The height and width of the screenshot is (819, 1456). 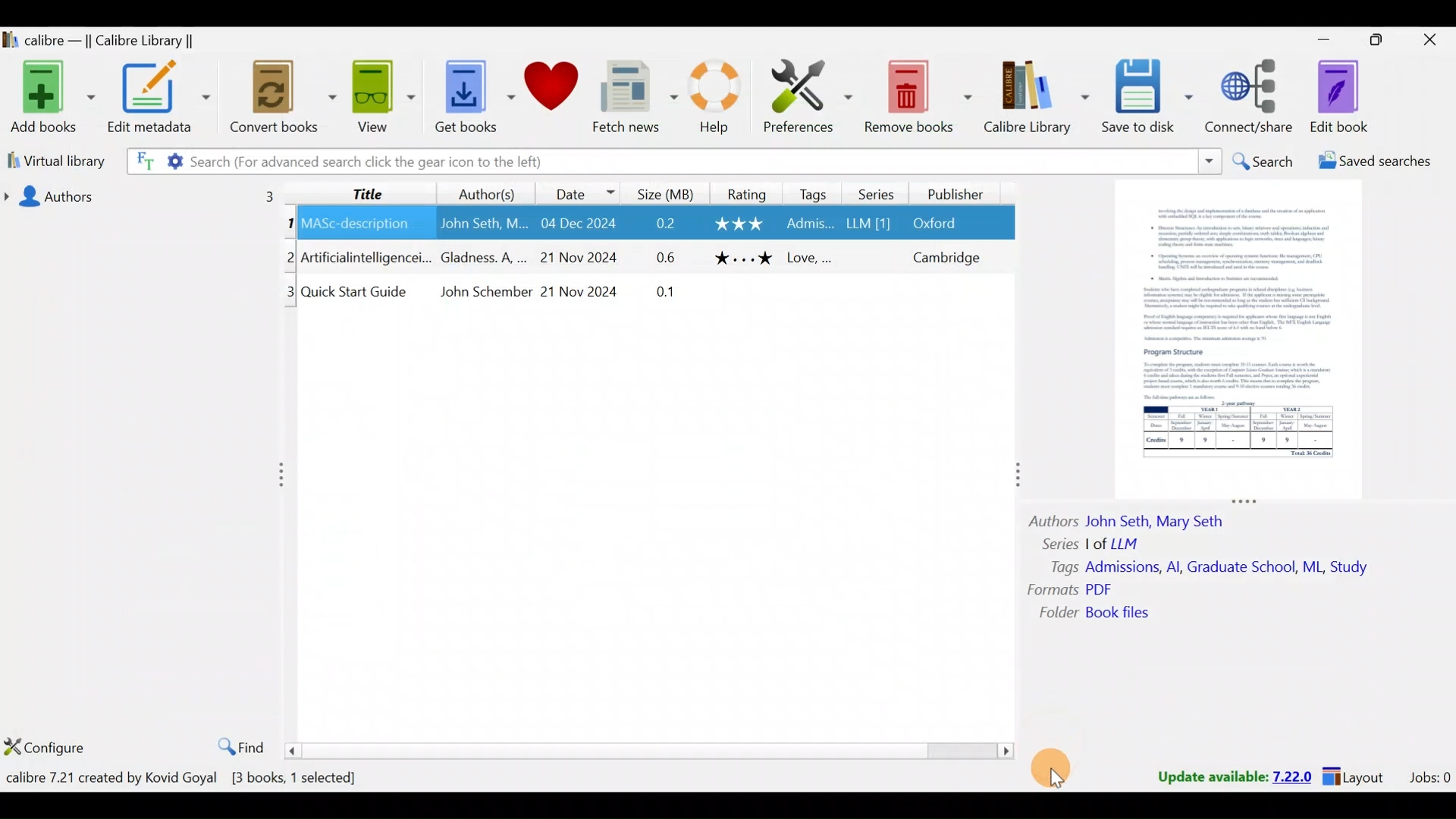 I want to click on Authors, so click(x=489, y=192).